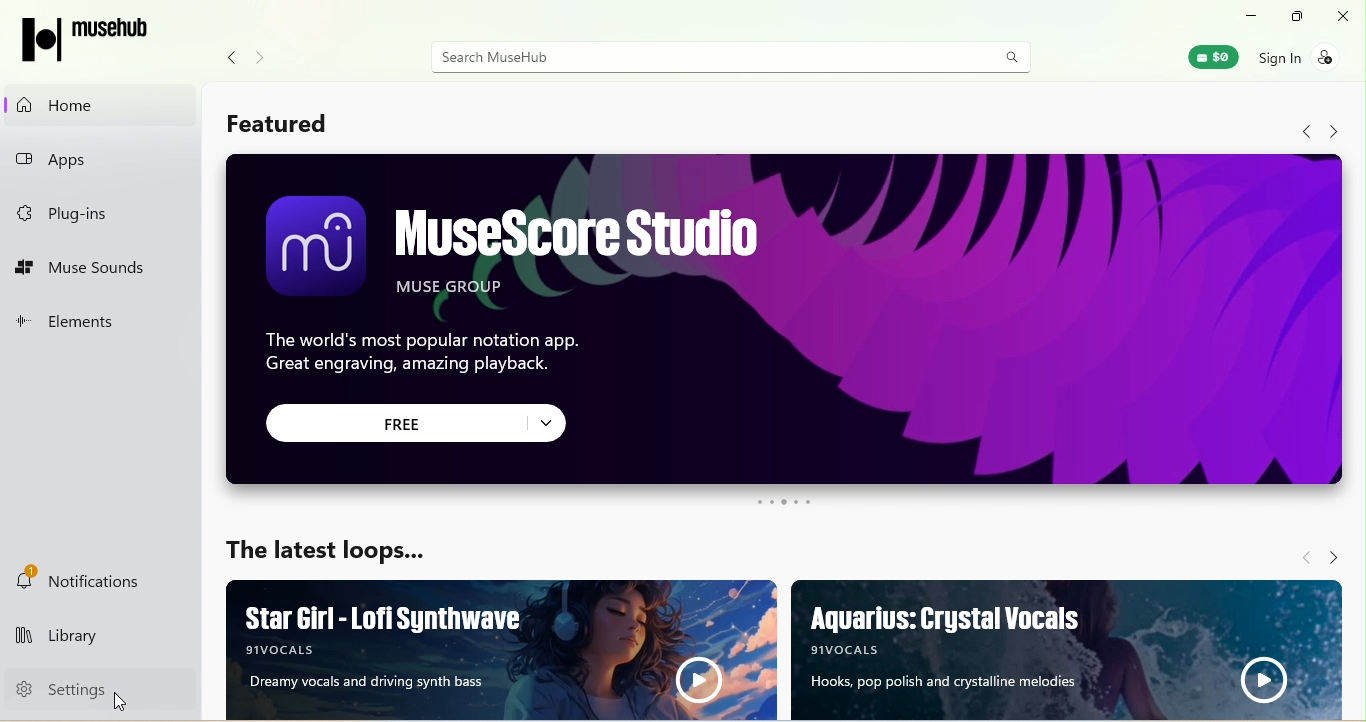 This screenshot has height=722, width=1366. I want to click on 91VOCALS, so click(273, 650).